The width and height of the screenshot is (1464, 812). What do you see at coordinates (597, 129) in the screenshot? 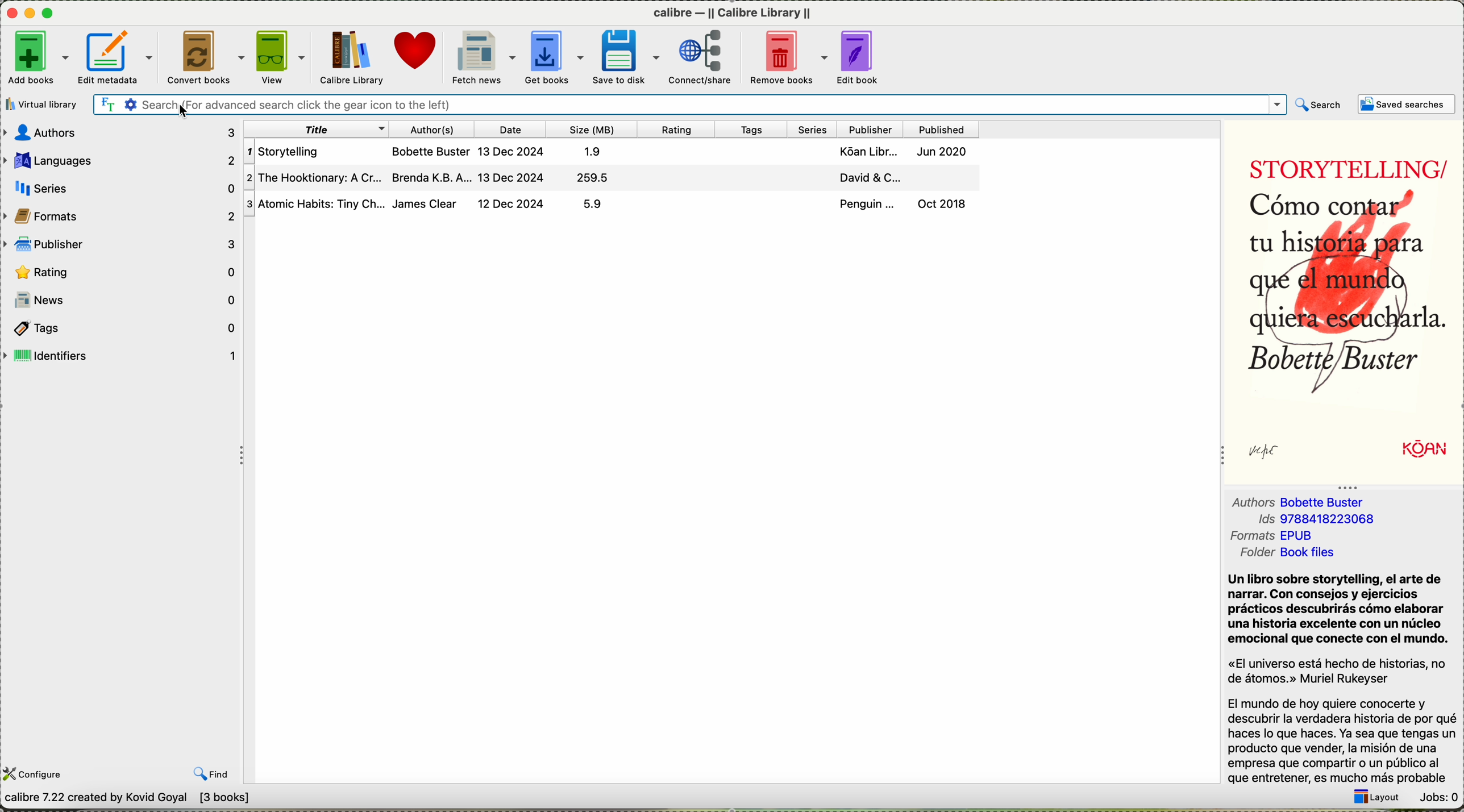
I see `Size (MB)` at bounding box center [597, 129].